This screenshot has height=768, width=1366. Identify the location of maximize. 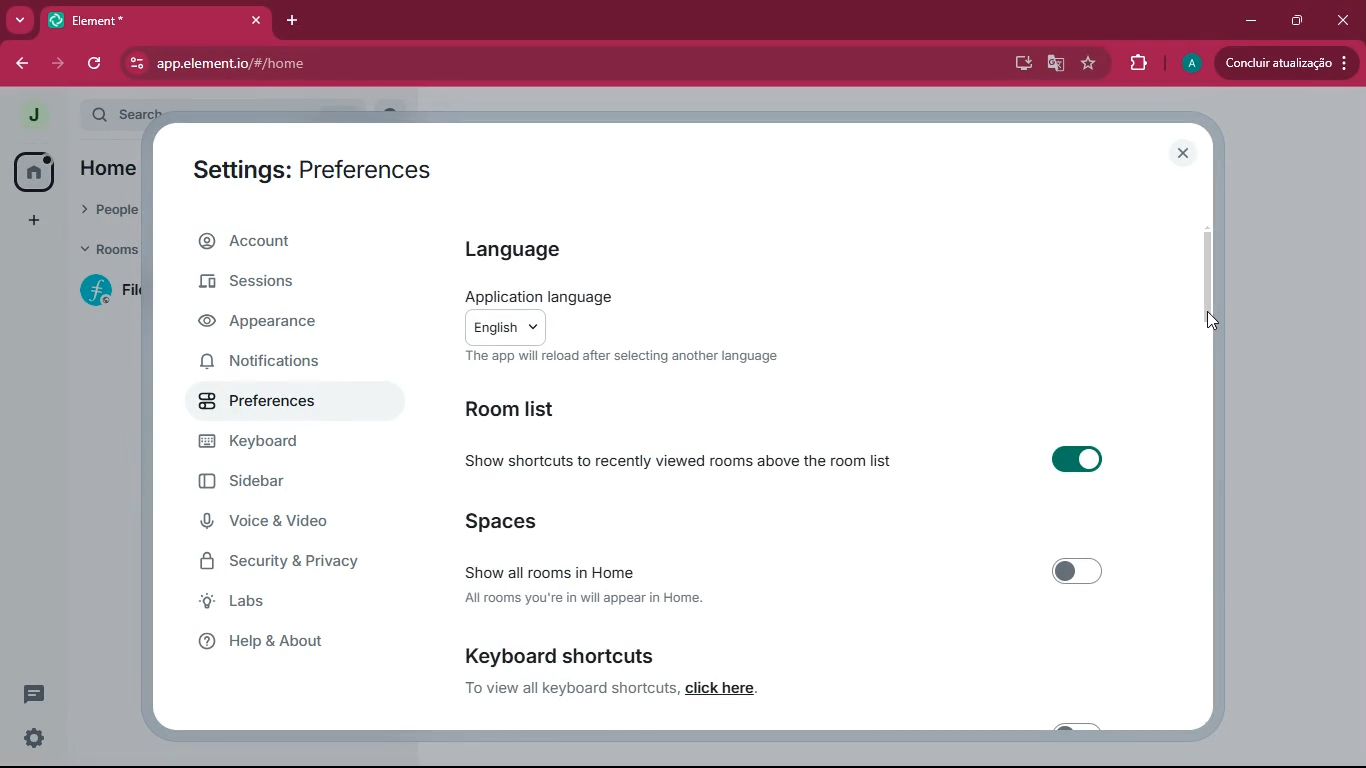
(1295, 20).